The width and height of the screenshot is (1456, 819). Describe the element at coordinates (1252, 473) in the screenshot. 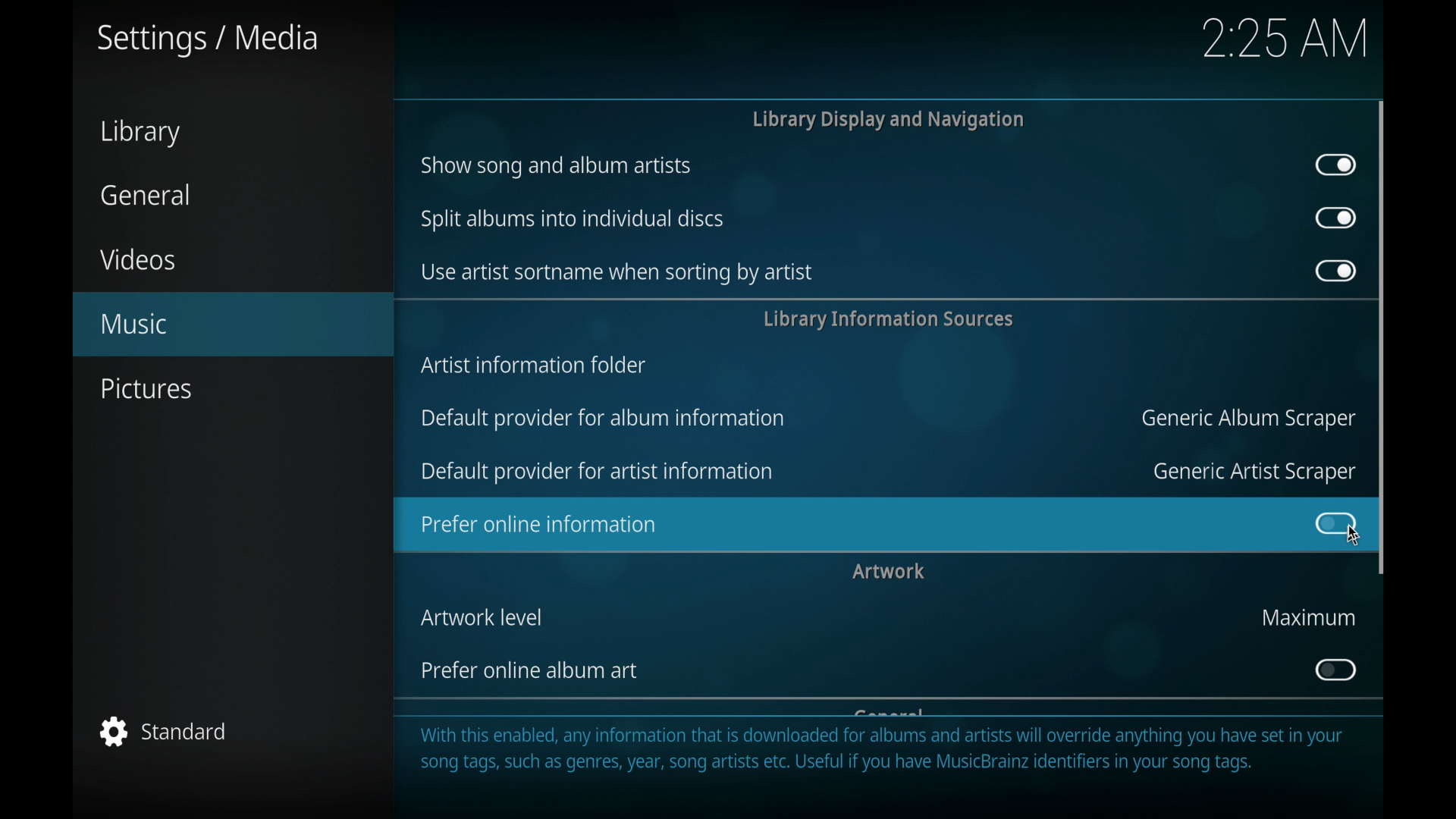

I see `generic artist scraper` at that location.